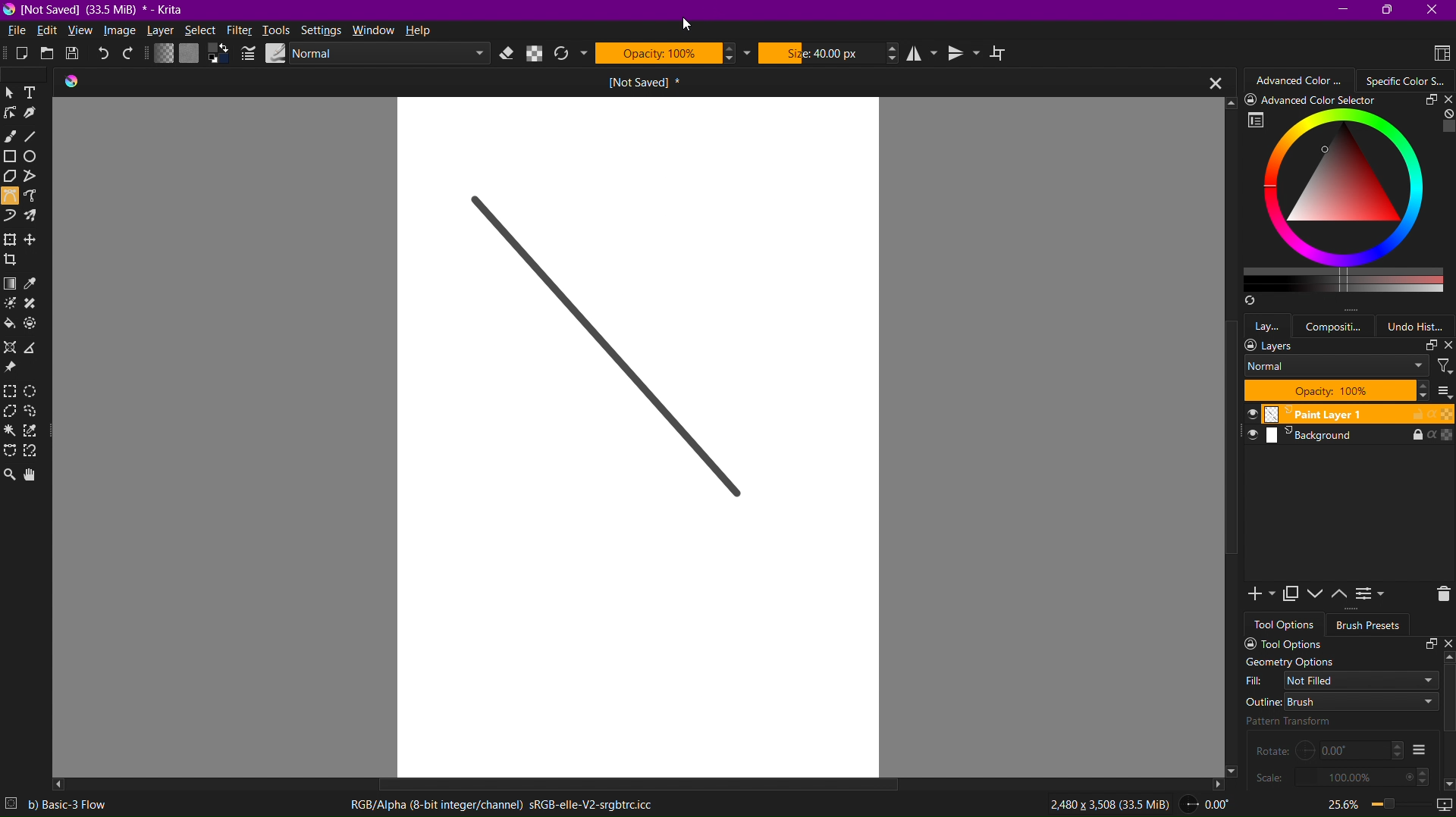 This screenshot has height=817, width=1456. What do you see at coordinates (10, 199) in the screenshot?
I see `Bezier Curve Tool` at bounding box center [10, 199].